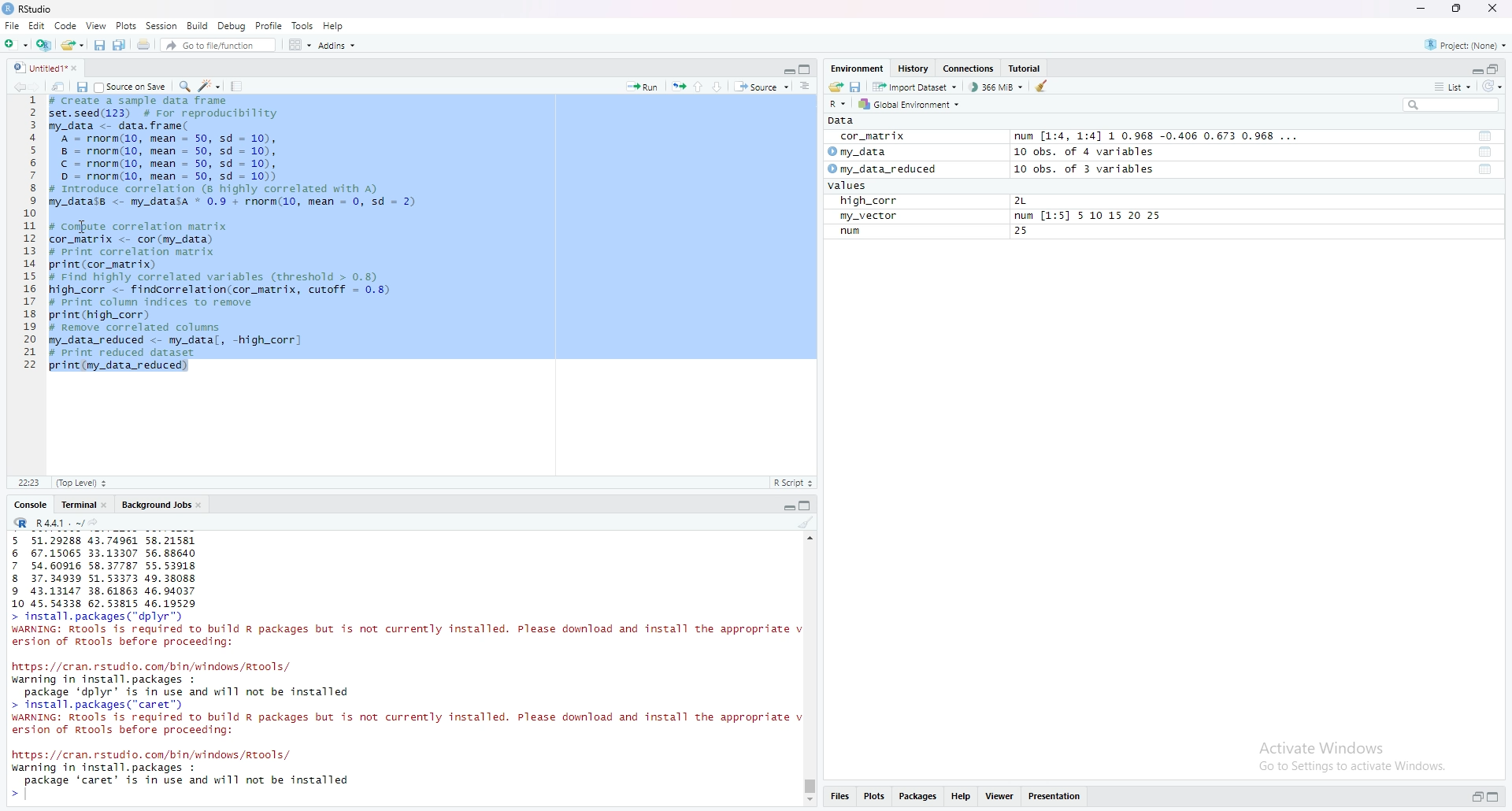 Image resolution: width=1512 pixels, height=811 pixels. What do you see at coordinates (233, 26) in the screenshot?
I see `Debug` at bounding box center [233, 26].